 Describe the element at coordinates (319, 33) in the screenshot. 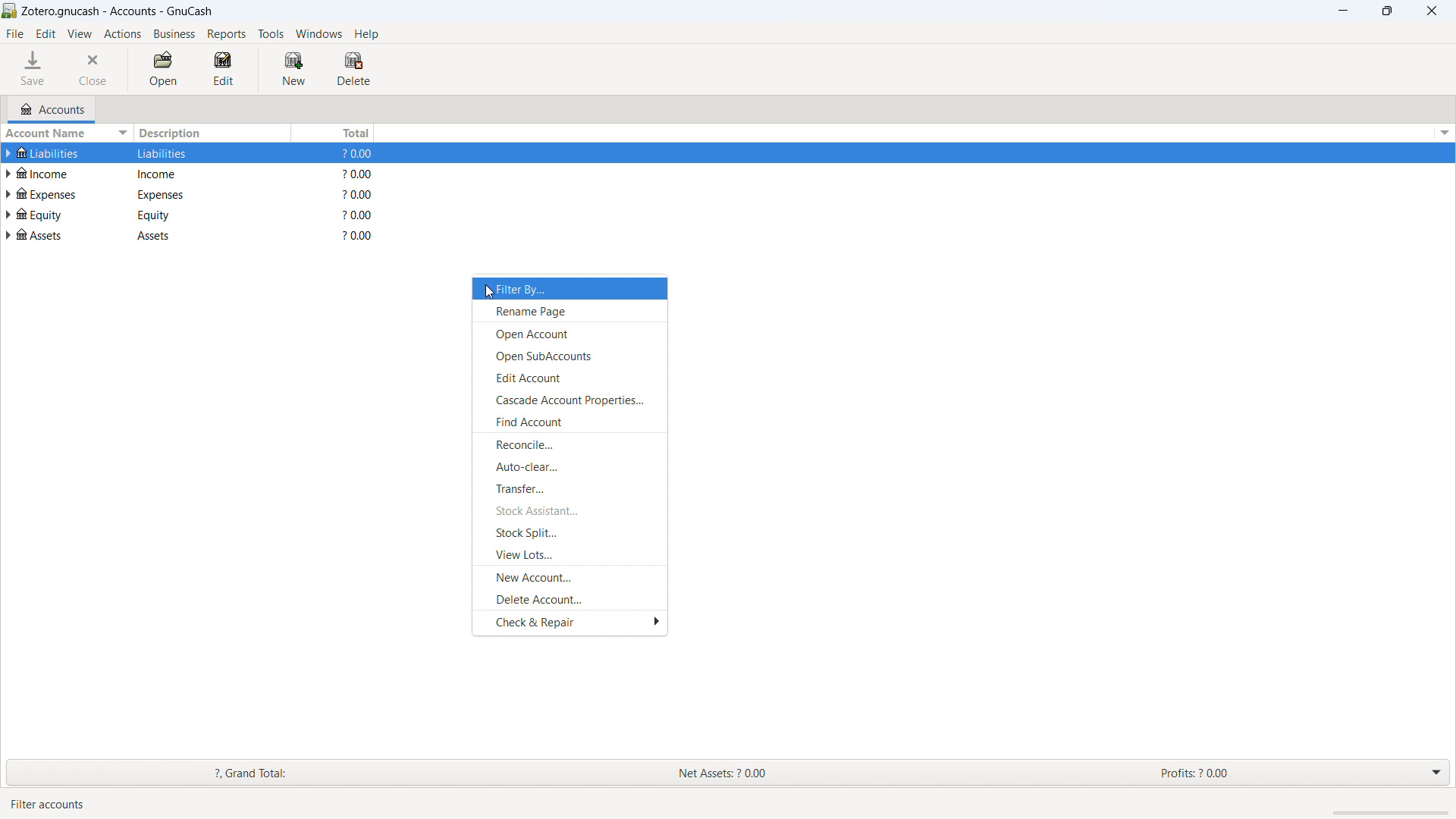

I see `windows` at that location.